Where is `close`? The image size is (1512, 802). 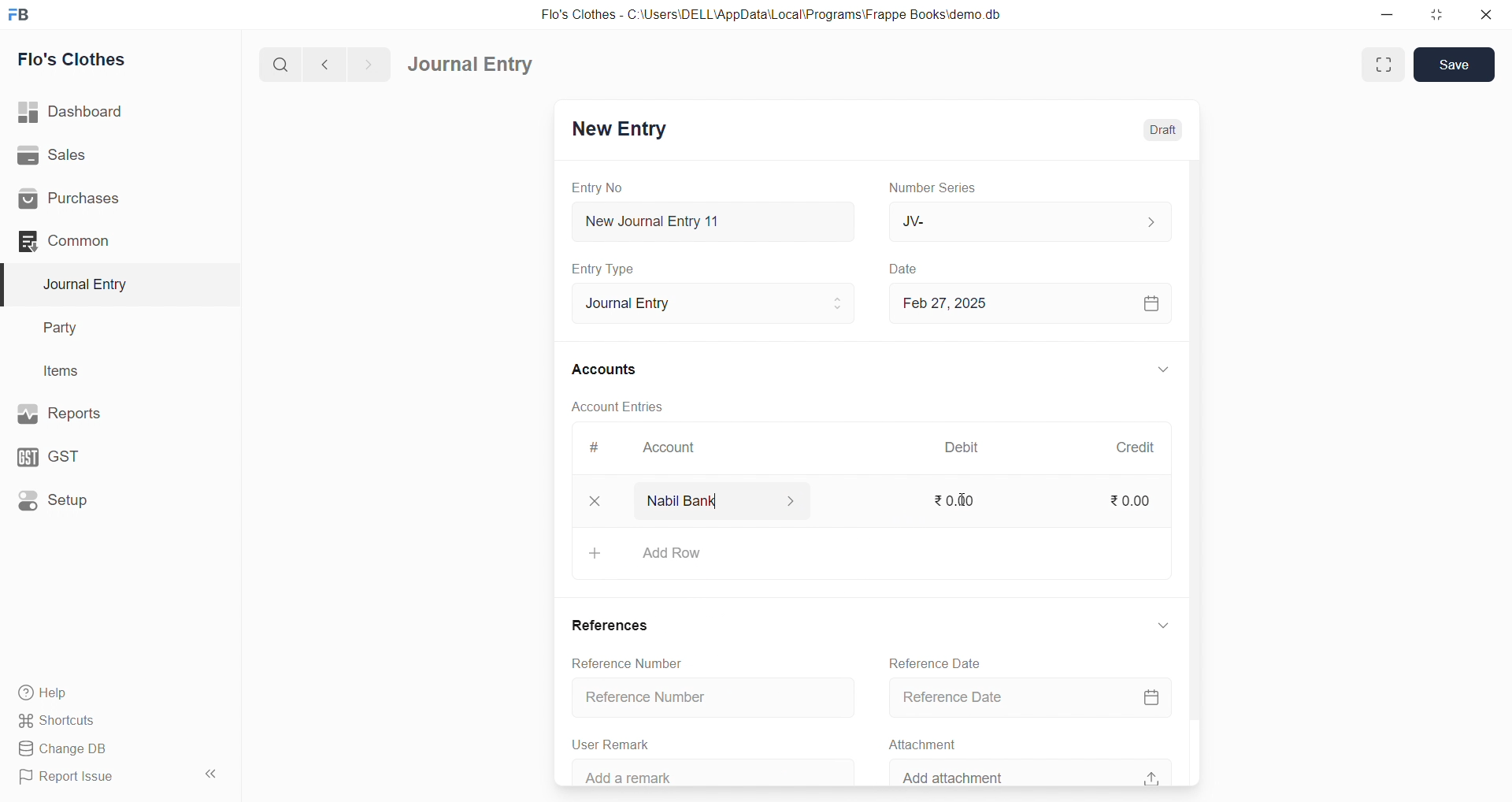 close is located at coordinates (594, 501).